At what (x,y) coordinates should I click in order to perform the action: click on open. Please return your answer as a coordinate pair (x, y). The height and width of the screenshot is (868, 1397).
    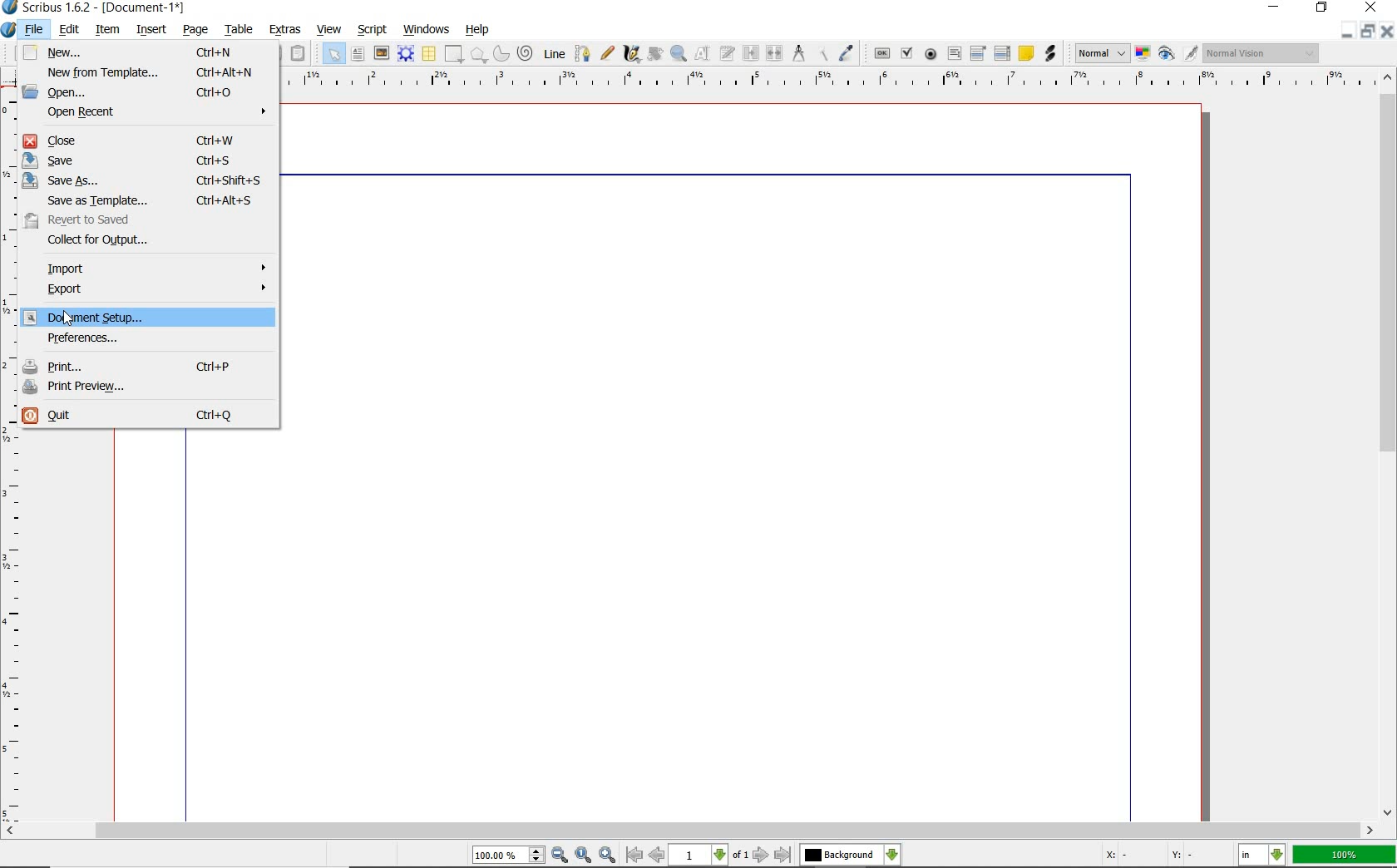
    Looking at the image, I should click on (148, 91).